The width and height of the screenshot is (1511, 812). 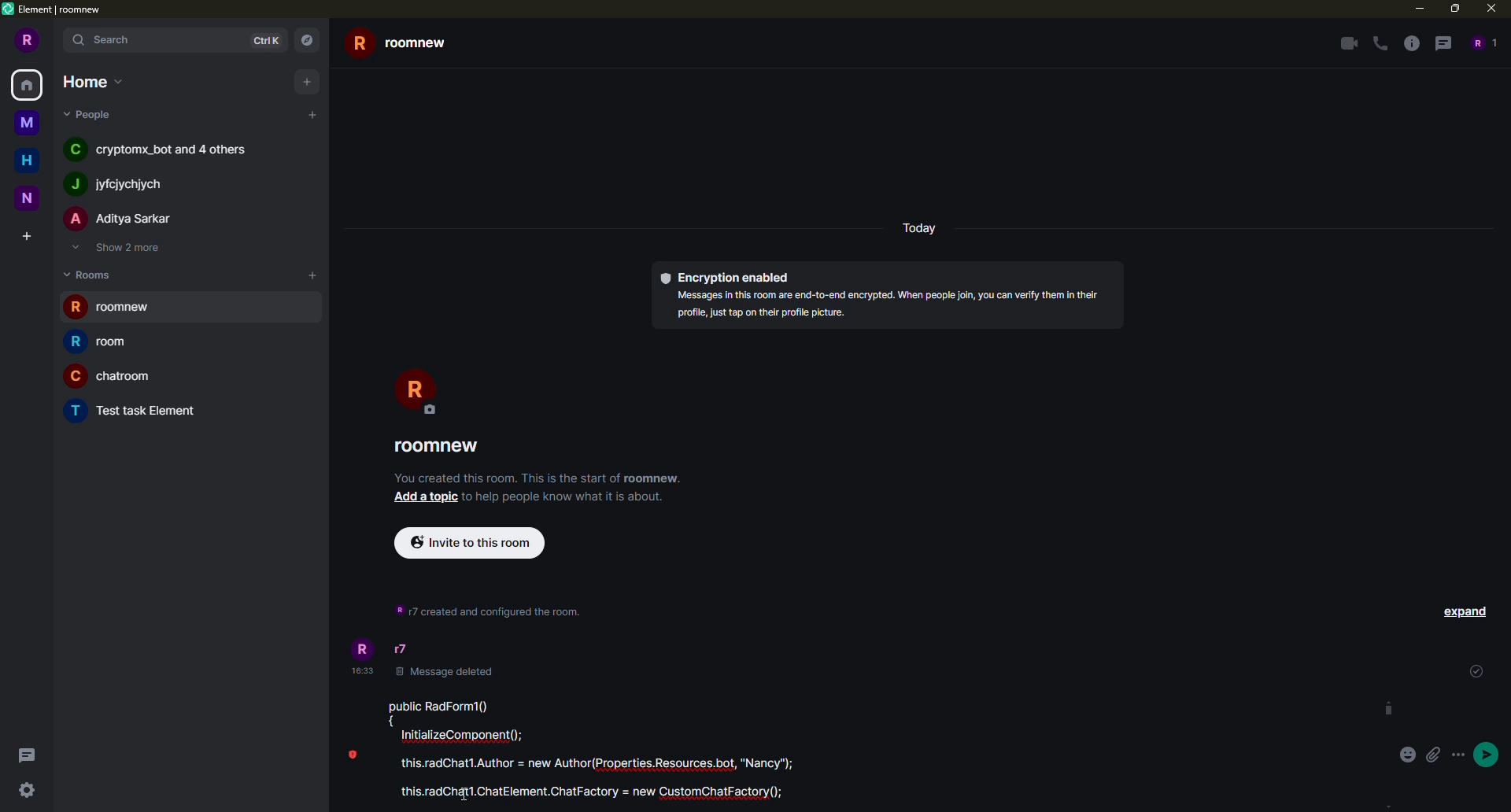 What do you see at coordinates (1438, 753) in the screenshot?
I see `attach` at bounding box center [1438, 753].